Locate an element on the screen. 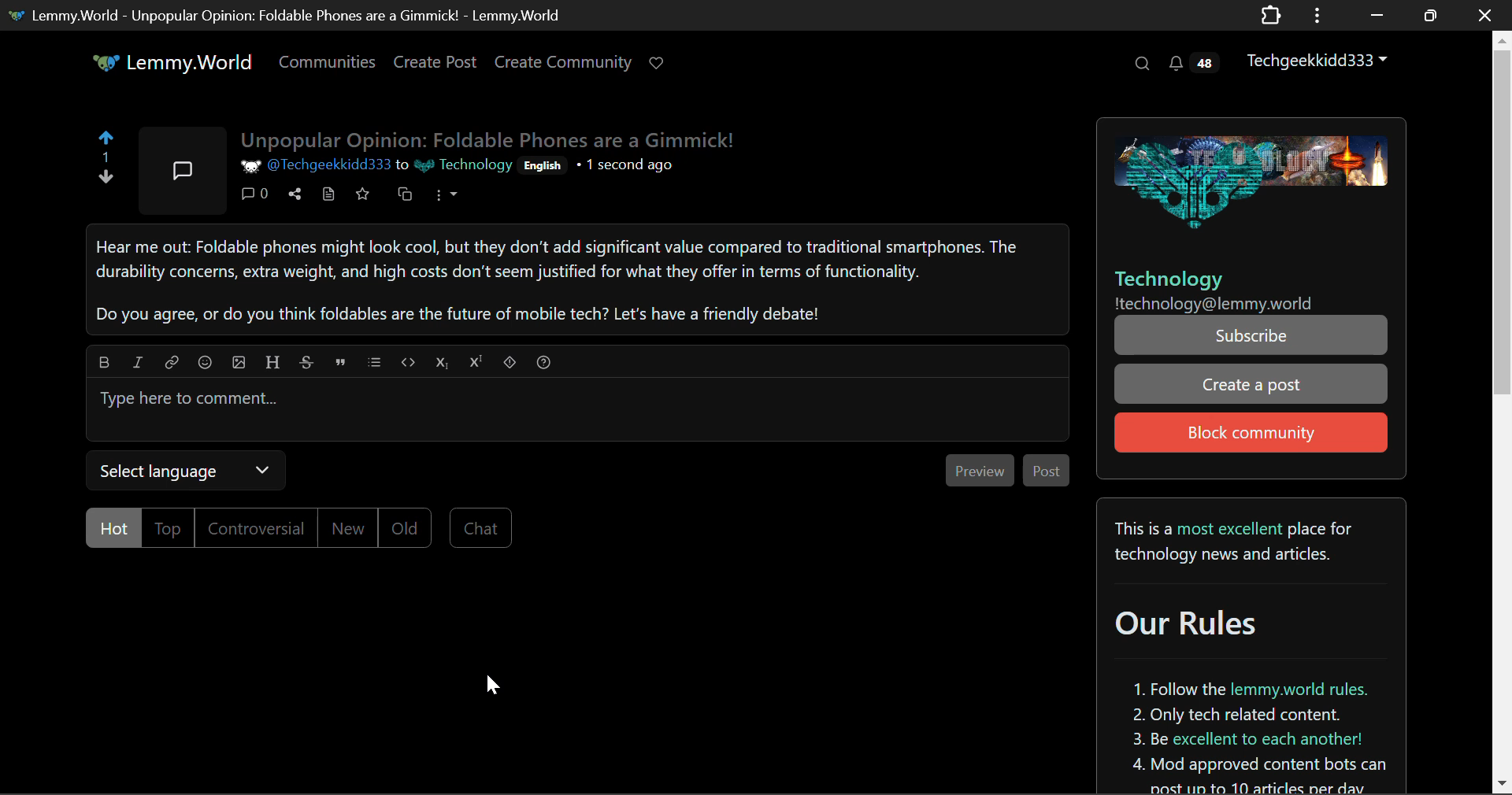  italic is located at coordinates (137, 361).